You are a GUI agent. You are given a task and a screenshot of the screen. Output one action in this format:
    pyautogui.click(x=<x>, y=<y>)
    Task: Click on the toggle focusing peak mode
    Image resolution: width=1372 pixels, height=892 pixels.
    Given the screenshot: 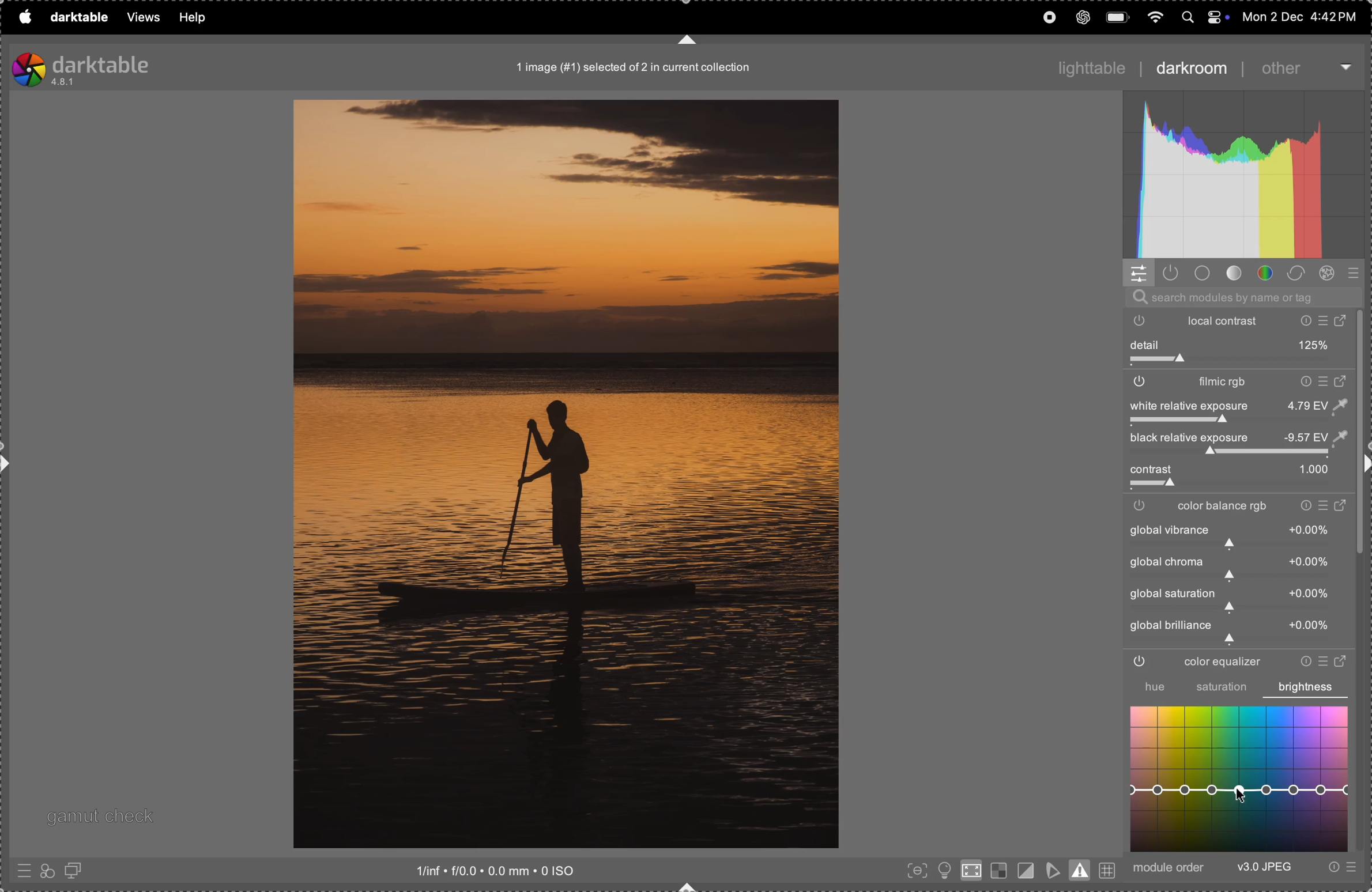 What is the action you would take?
    pyautogui.click(x=914, y=871)
    